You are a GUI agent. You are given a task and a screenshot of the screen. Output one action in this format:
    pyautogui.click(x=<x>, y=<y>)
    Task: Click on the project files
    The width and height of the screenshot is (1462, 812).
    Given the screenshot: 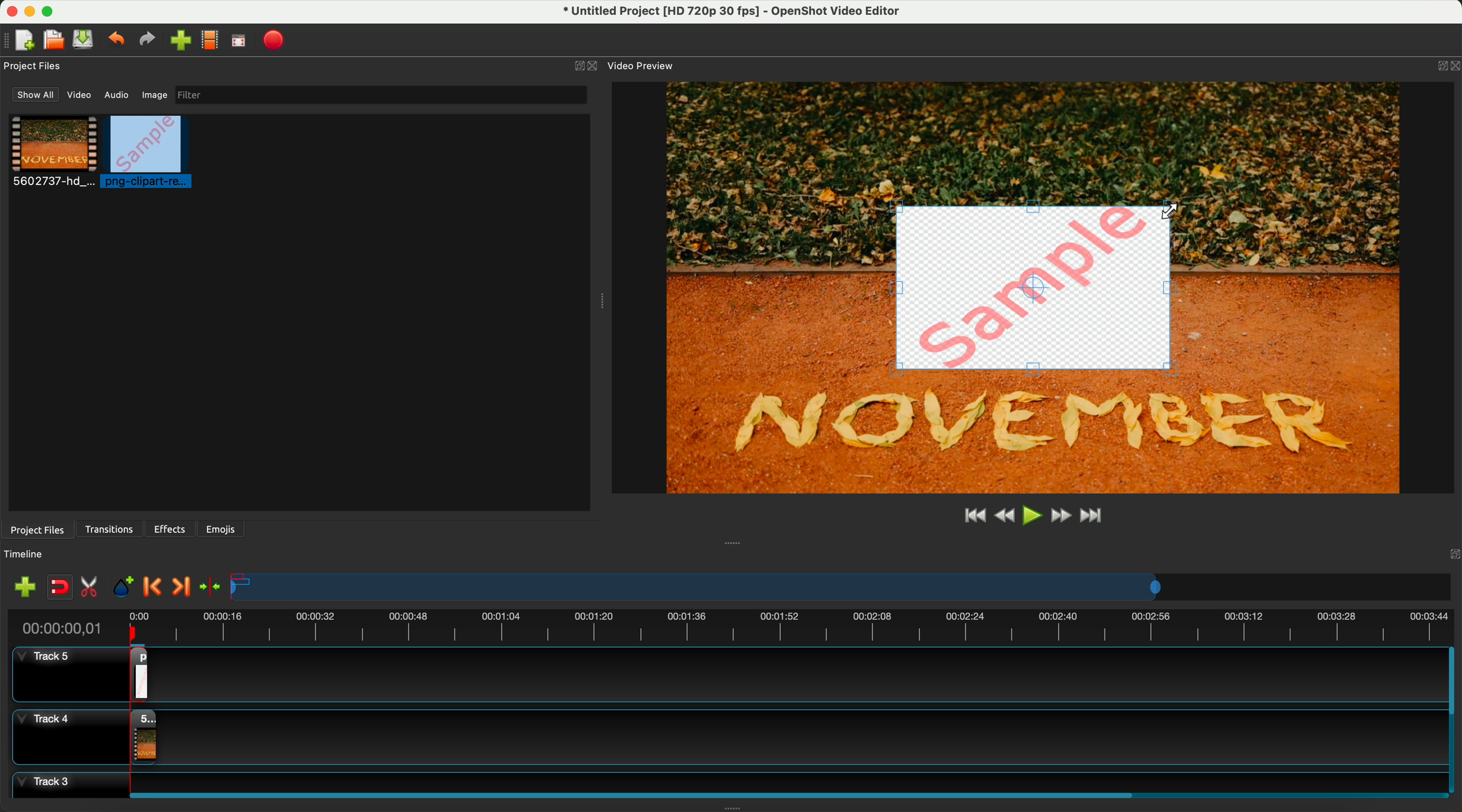 What is the action you would take?
    pyautogui.click(x=36, y=529)
    